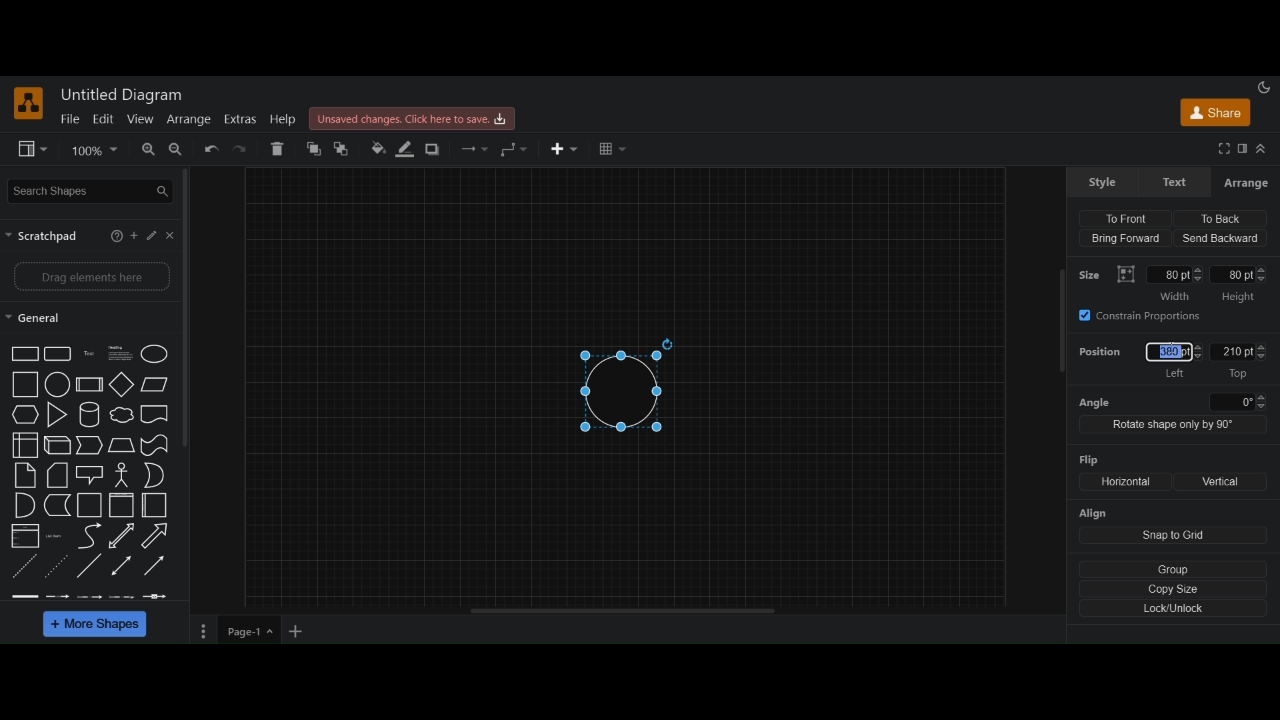  Describe the element at coordinates (1122, 217) in the screenshot. I see `to front` at that location.